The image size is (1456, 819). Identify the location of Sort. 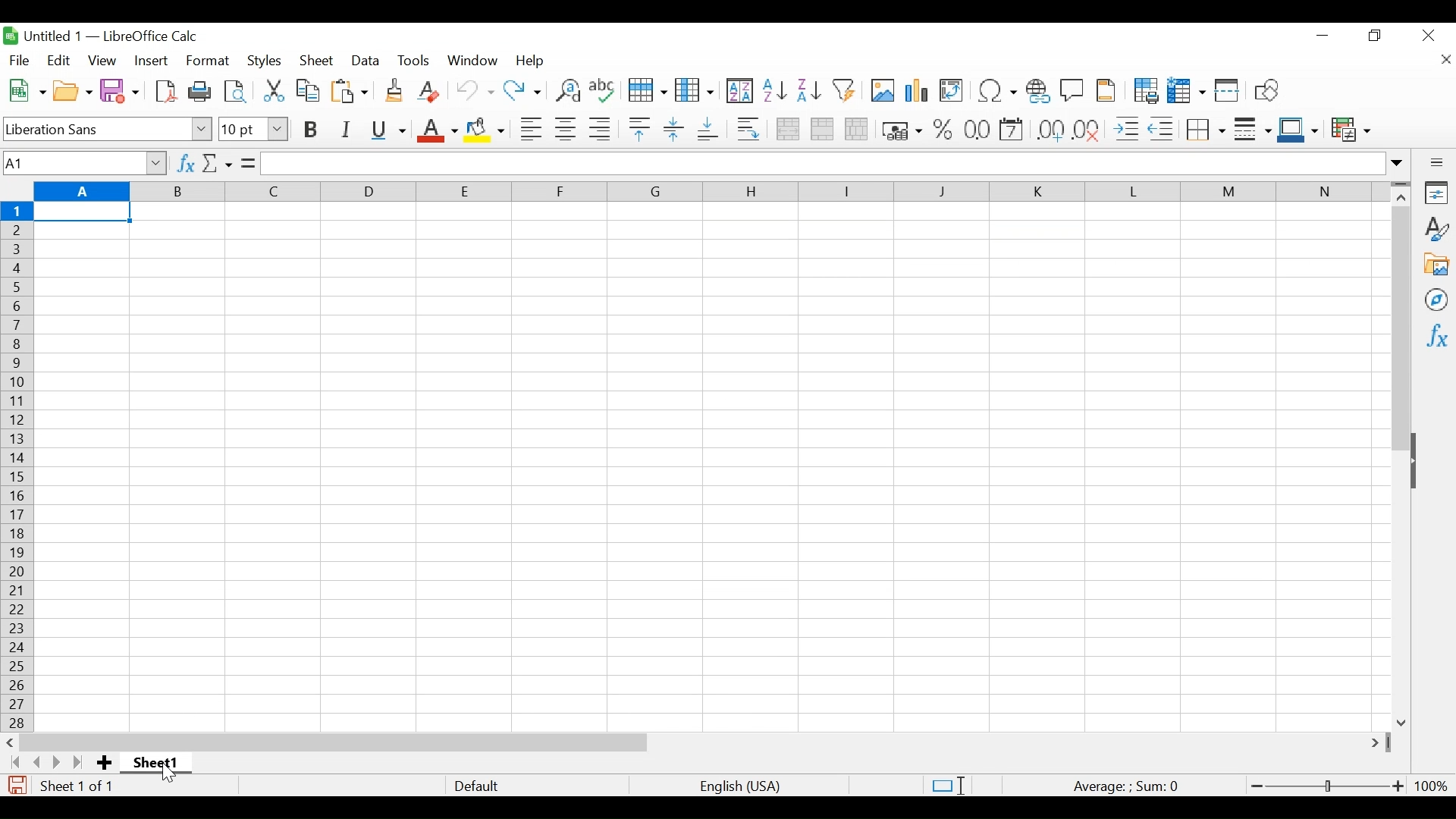
(739, 89).